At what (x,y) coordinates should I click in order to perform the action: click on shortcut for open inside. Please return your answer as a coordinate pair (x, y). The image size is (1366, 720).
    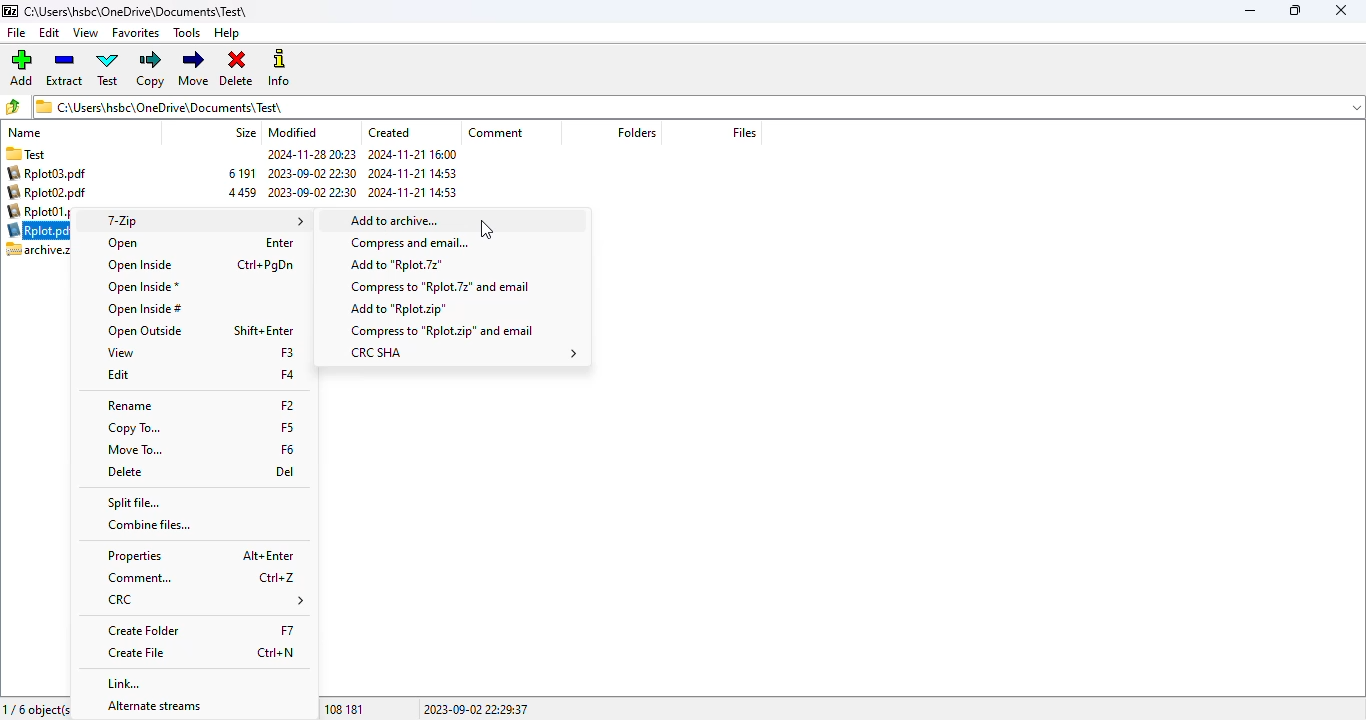
    Looking at the image, I should click on (266, 265).